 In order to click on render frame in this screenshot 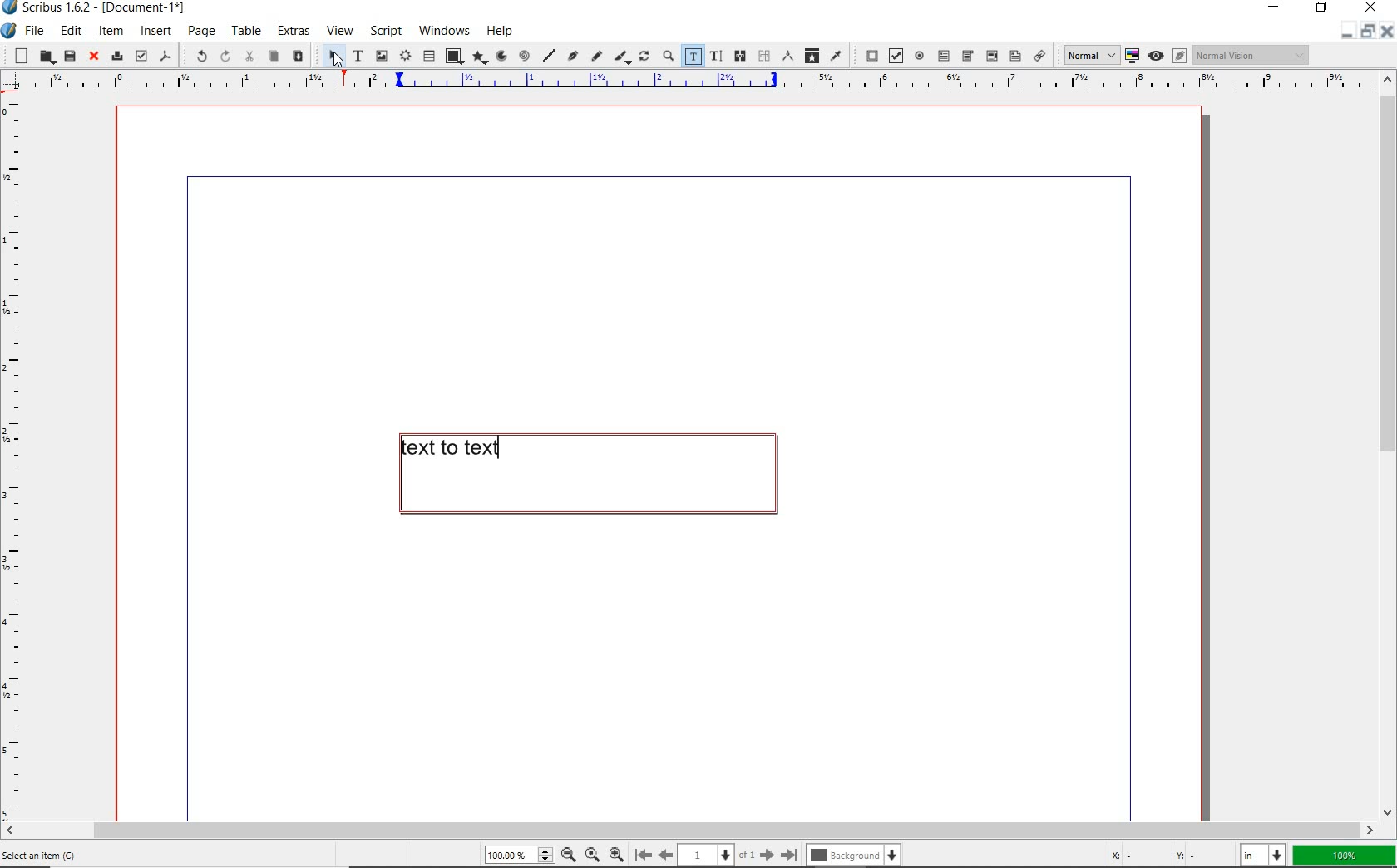, I will do `click(405, 57)`.